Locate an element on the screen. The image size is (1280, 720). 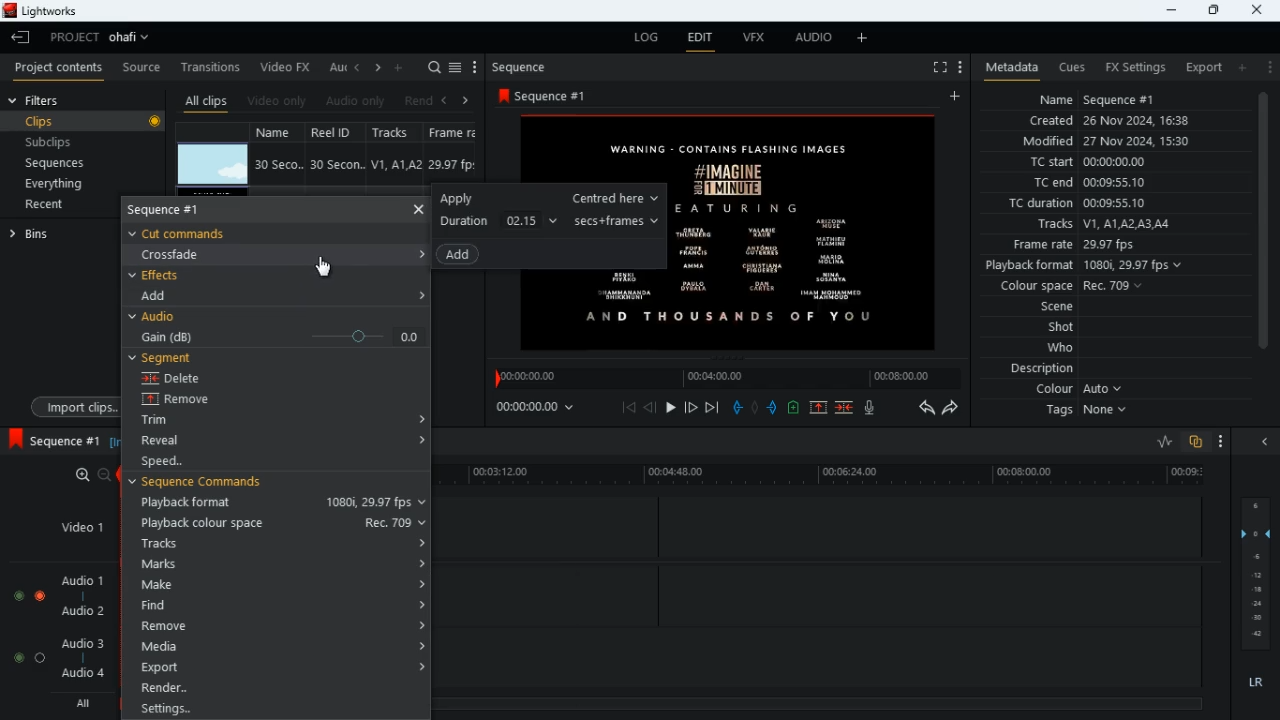
Image is located at coordinates (807, 233).